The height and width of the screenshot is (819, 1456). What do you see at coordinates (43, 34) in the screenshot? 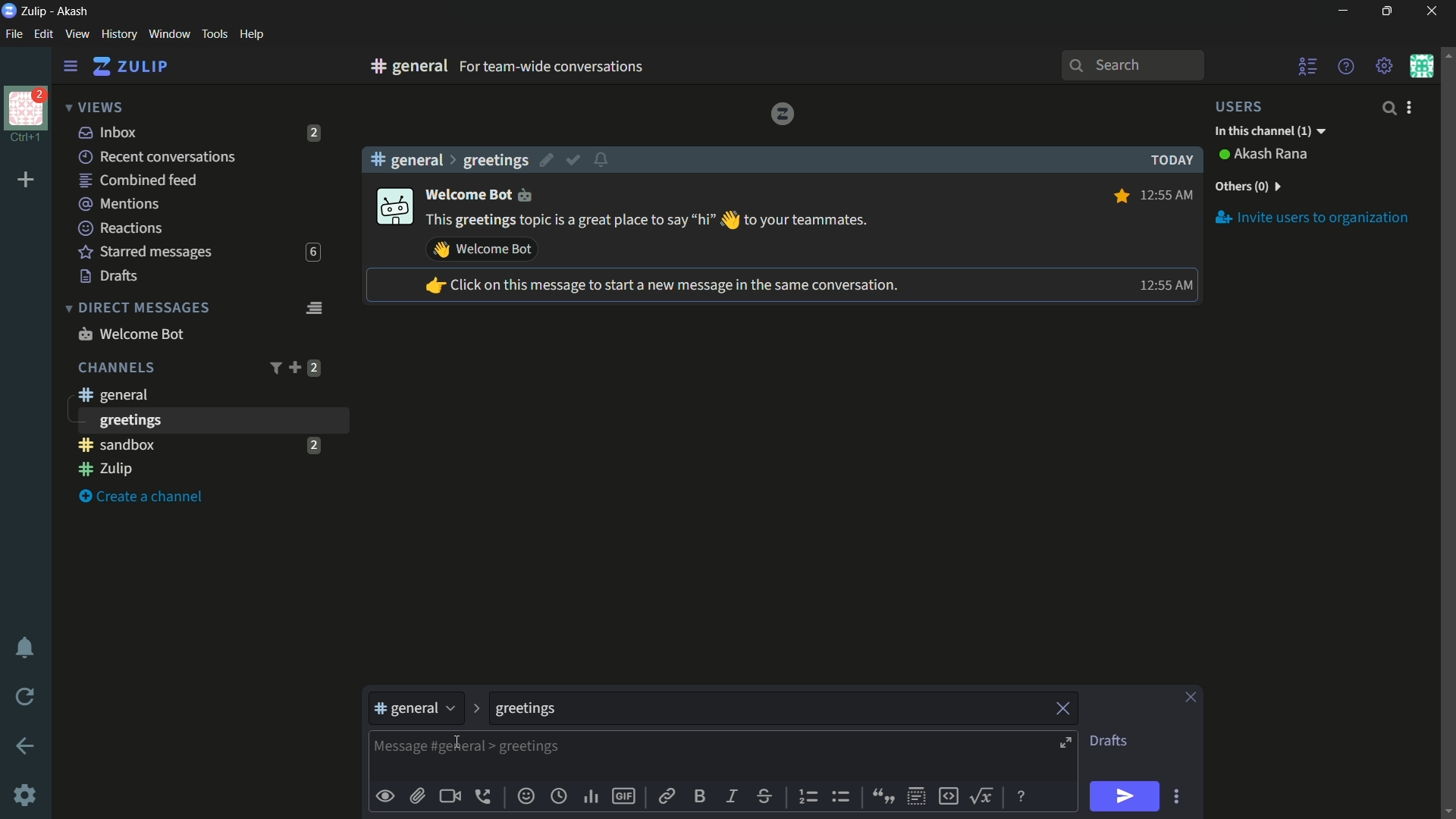
I see `edit menu` at bounding box center [43, 34].